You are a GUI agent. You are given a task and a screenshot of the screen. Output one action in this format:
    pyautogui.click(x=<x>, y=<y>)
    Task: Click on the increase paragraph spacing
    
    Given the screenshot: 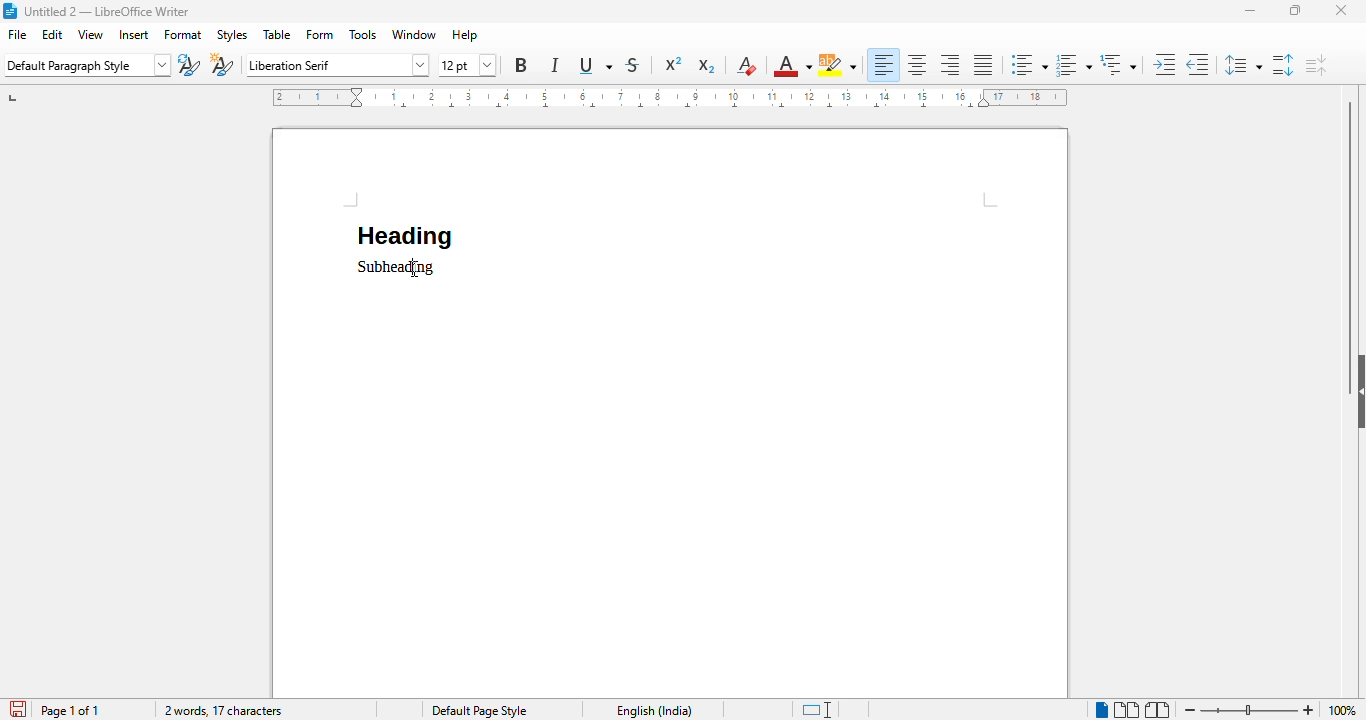 What is the action you would take?
    pyautogui.click(x=1283, y=65)
    